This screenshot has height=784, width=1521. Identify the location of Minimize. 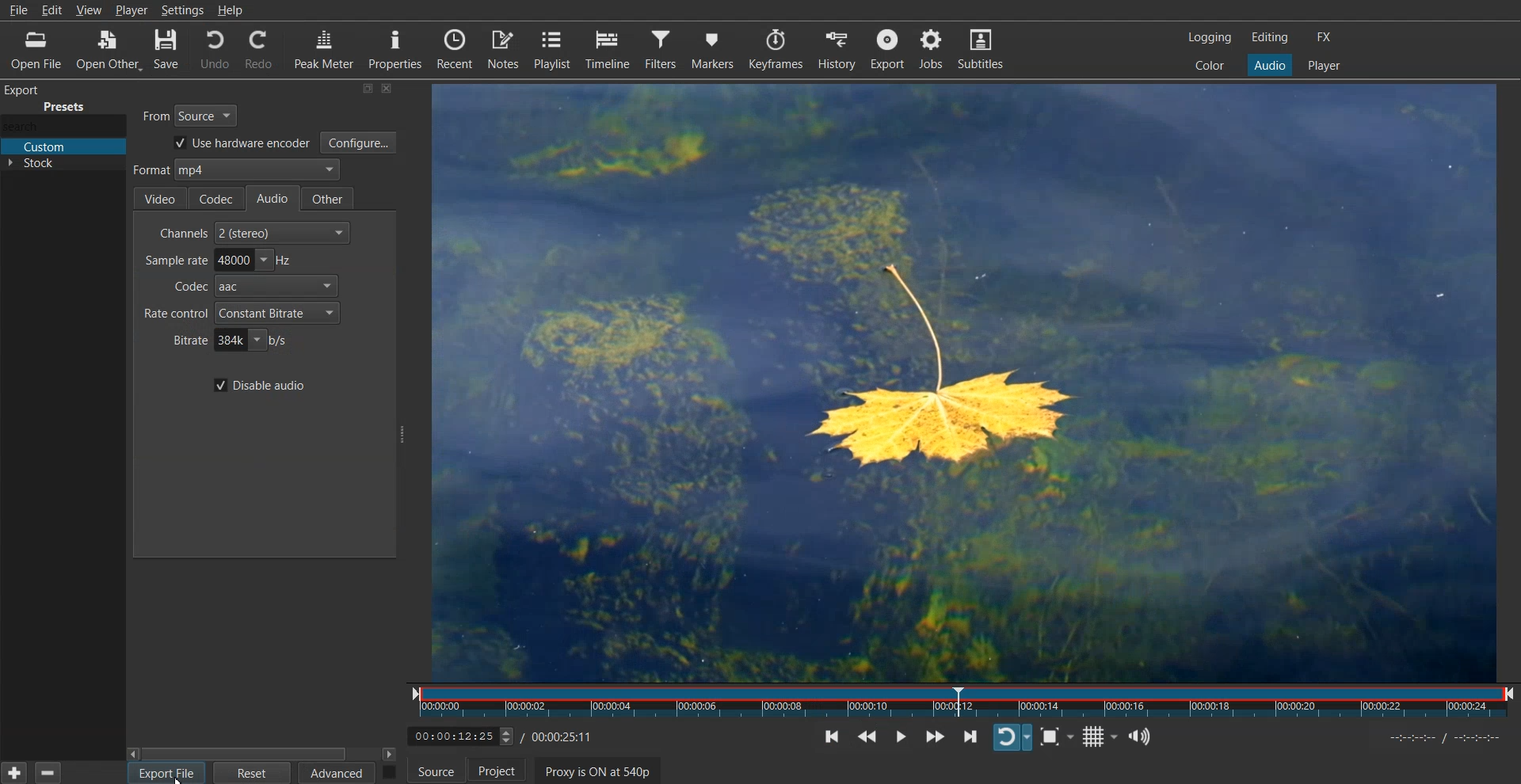
(368, 88).